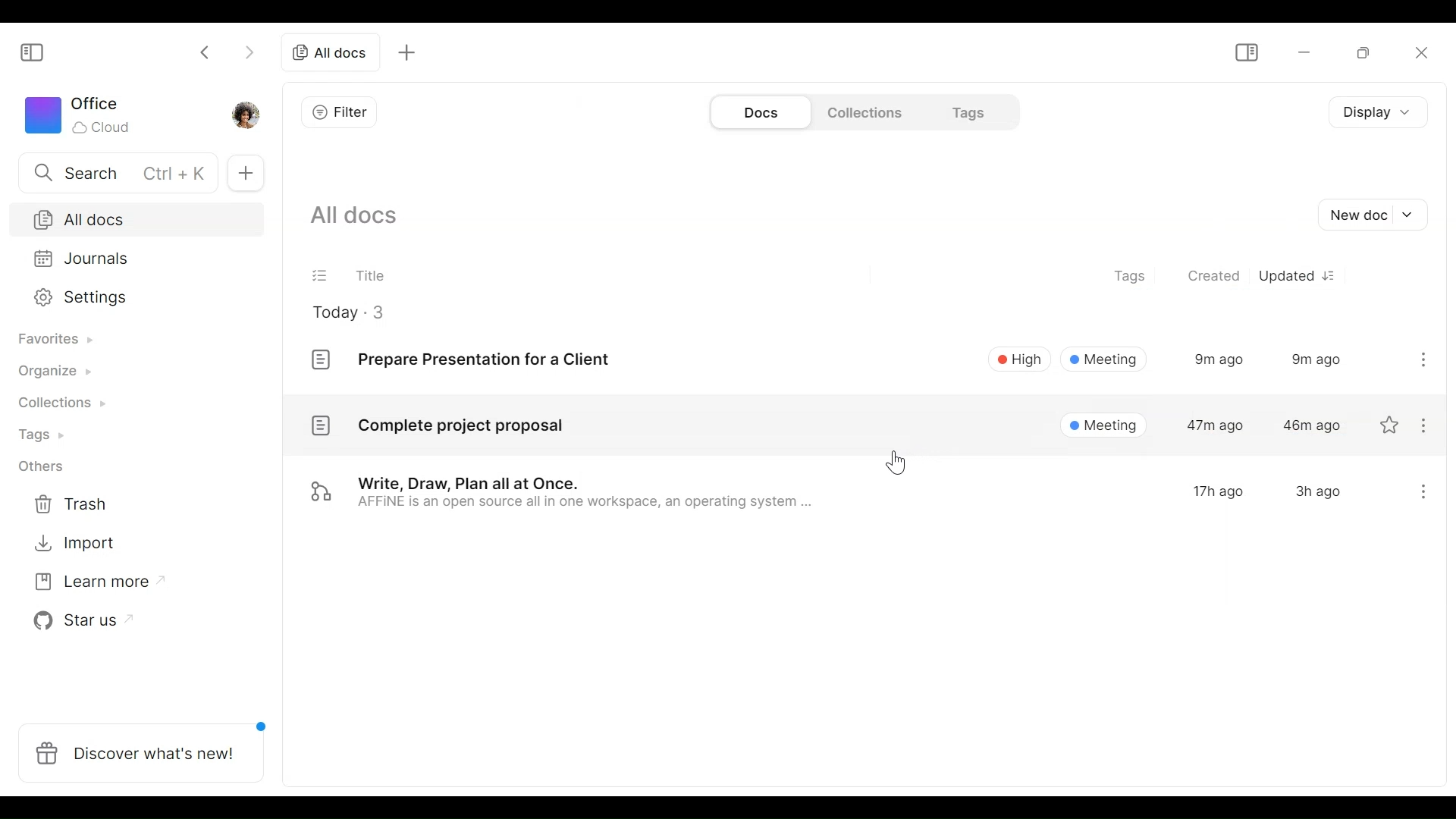  I want to click on New document, so click(1373, 212).